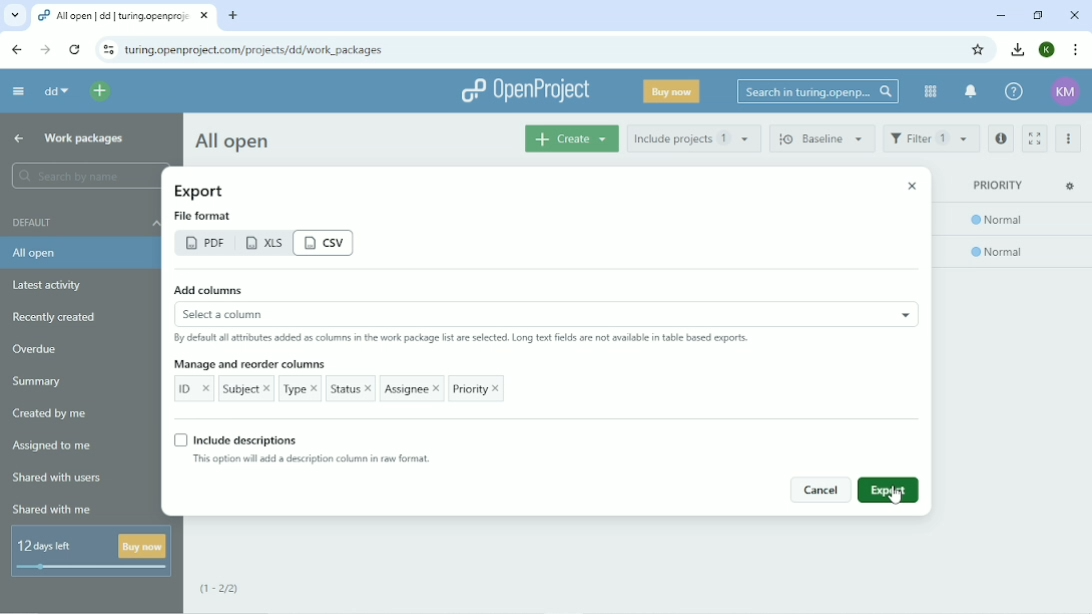 This screenshot has width=1092, height=614. What do you see at coordinates (82, 221) in the screenshot?
I see `Default` at bounding box center [82, 221].